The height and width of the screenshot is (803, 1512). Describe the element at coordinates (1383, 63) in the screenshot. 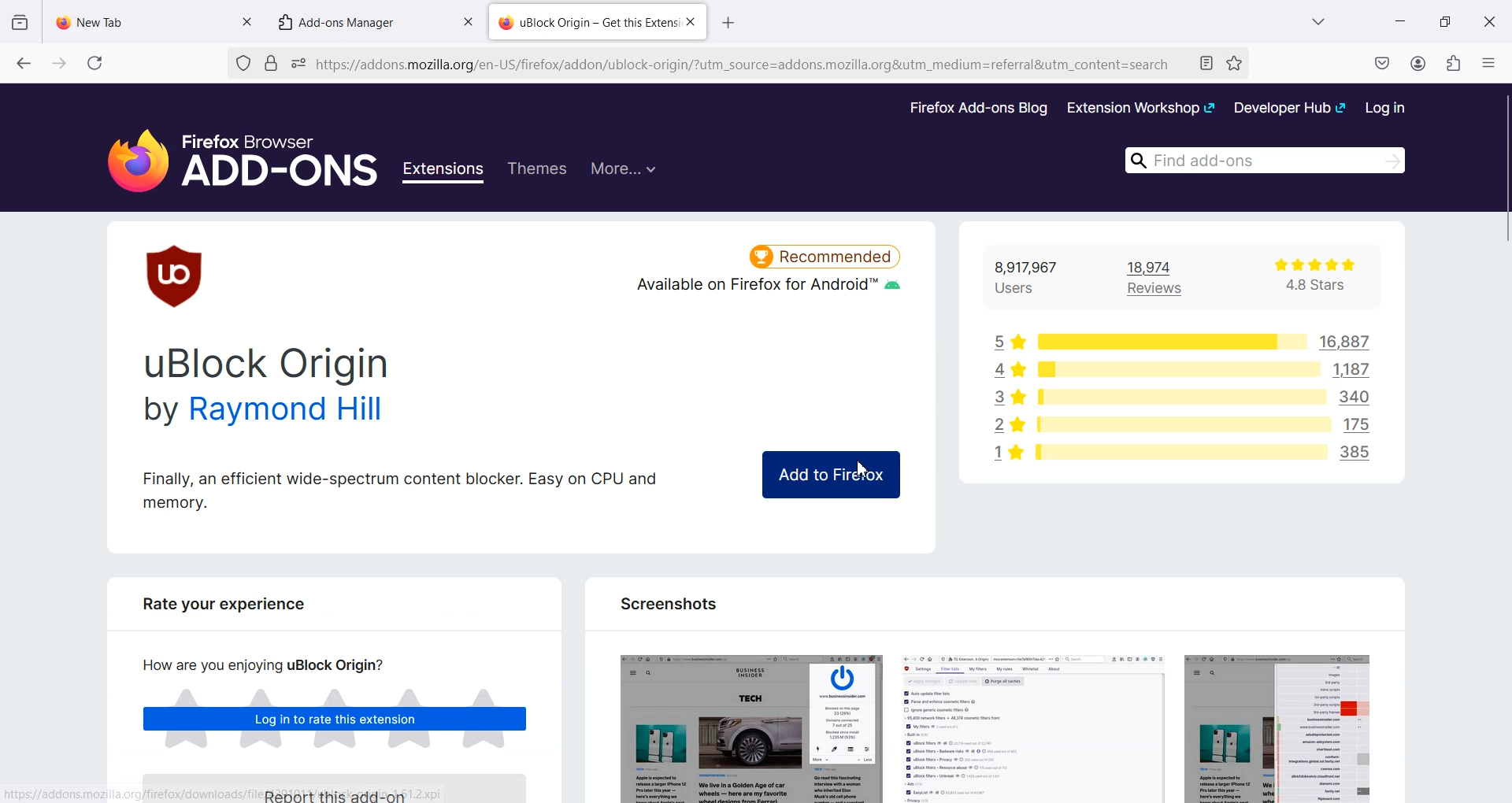

I see `Save to pocket` at that location.